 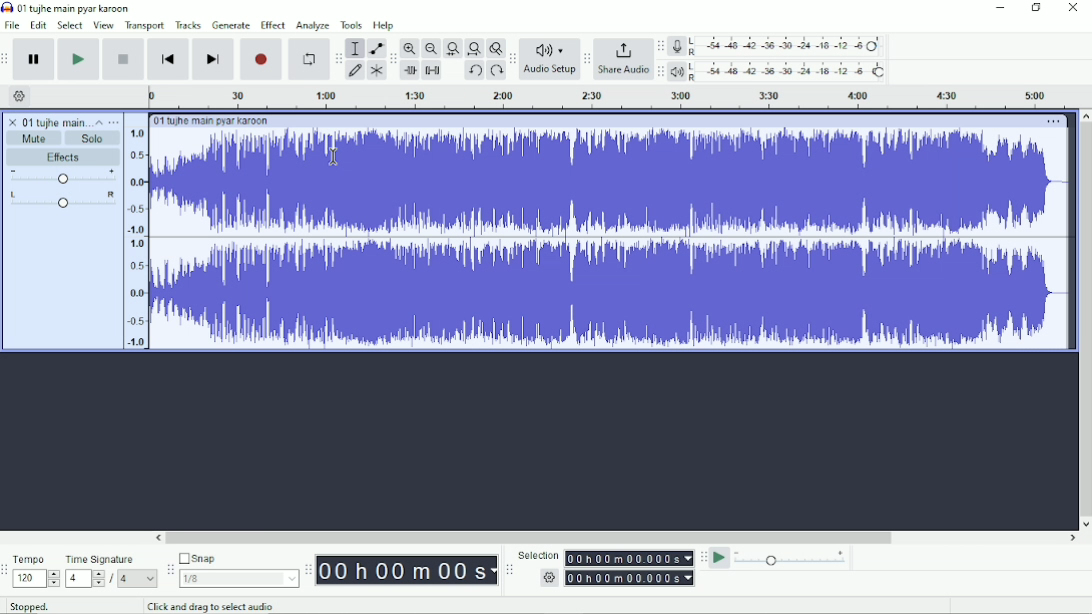 What do you see at coordinates (703, 558) in the screenshot?
I see `Audacity play-at-speed` at bounding box center [703, 558].